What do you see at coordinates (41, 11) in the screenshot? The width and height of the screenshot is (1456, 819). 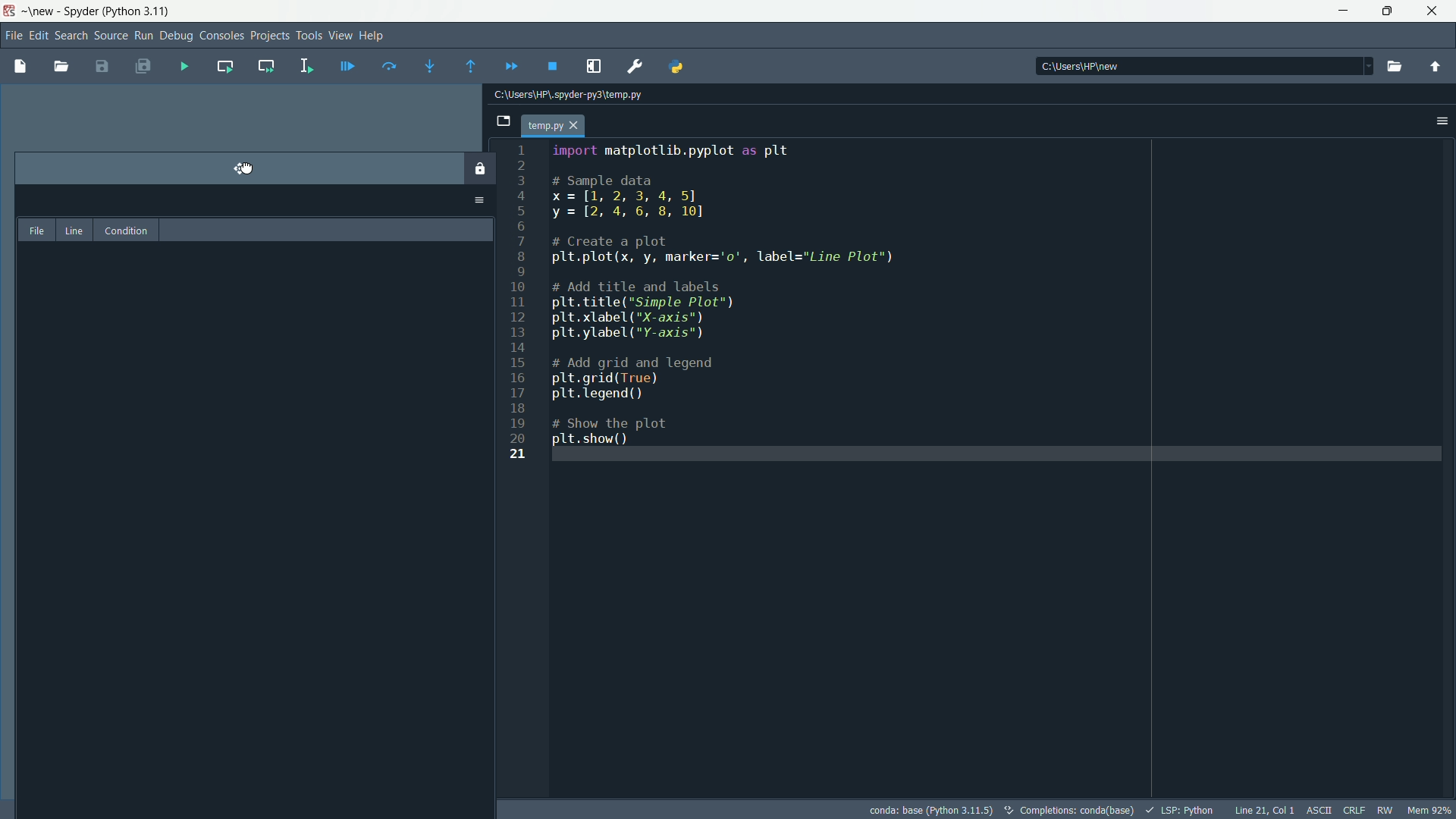 I see `new` at bounding box center [41, 11].